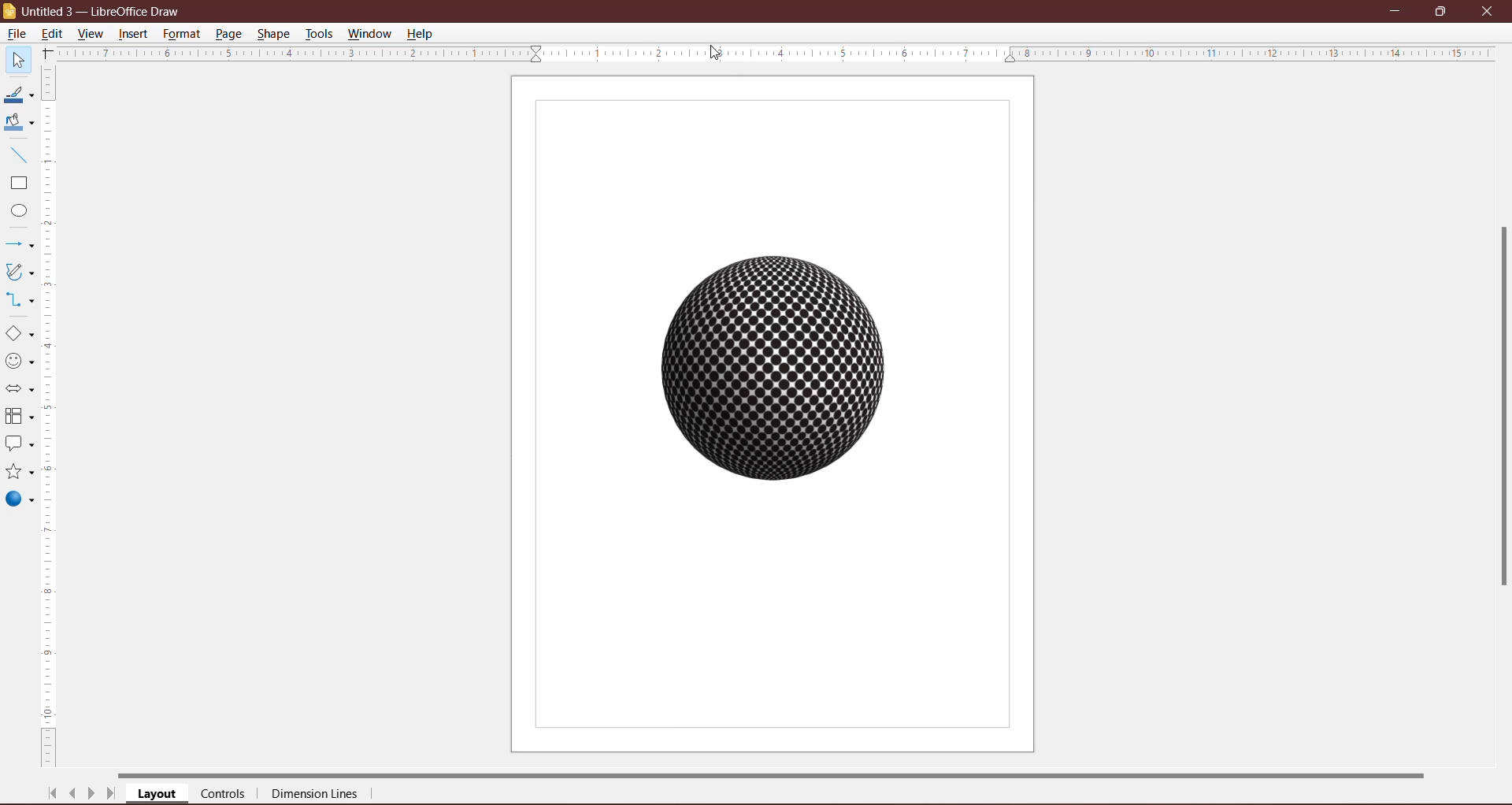 The width and height of the screenshot is (1512, 805). What do you see at coordinates (91, 33) in the screenshot?
I see `View` at bounding box center [91, 33].